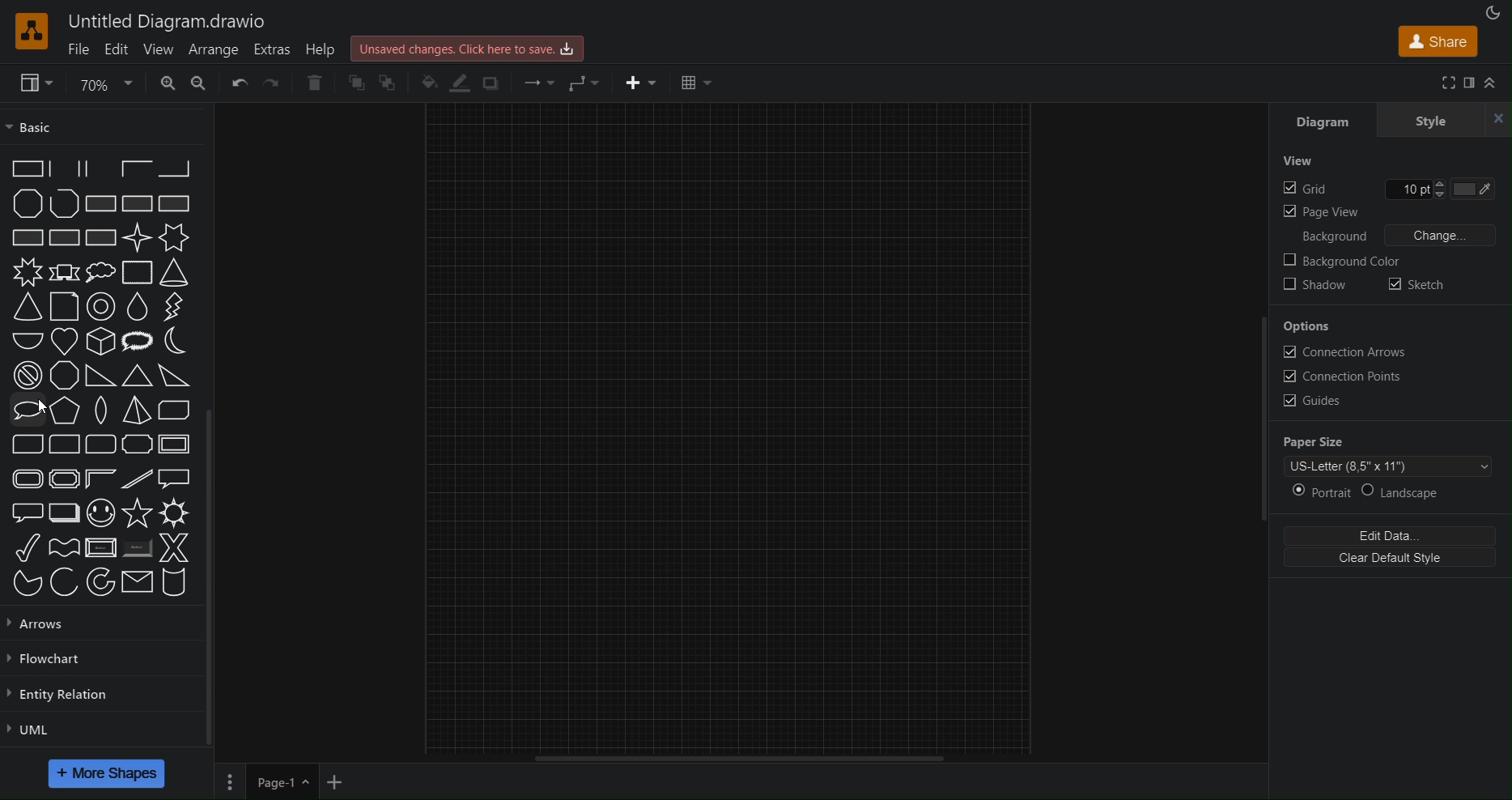 The width and height of the screenshot is (1512, 800). Describe the element at coordinates (27, 342) in the screenshot. I see `Half Circle` at that location.